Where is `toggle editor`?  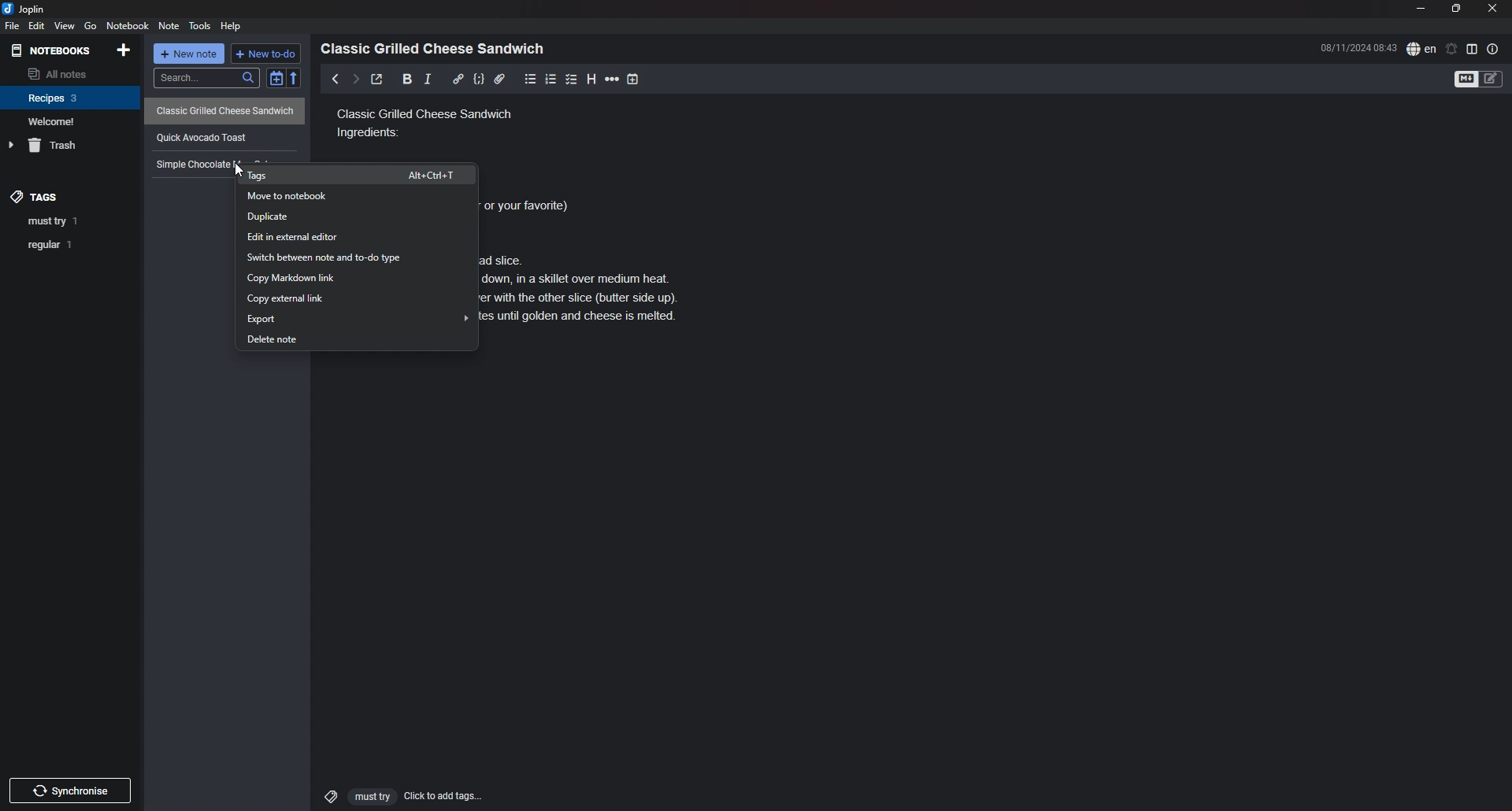
toggle editor is located at coordinates (1480, 80).